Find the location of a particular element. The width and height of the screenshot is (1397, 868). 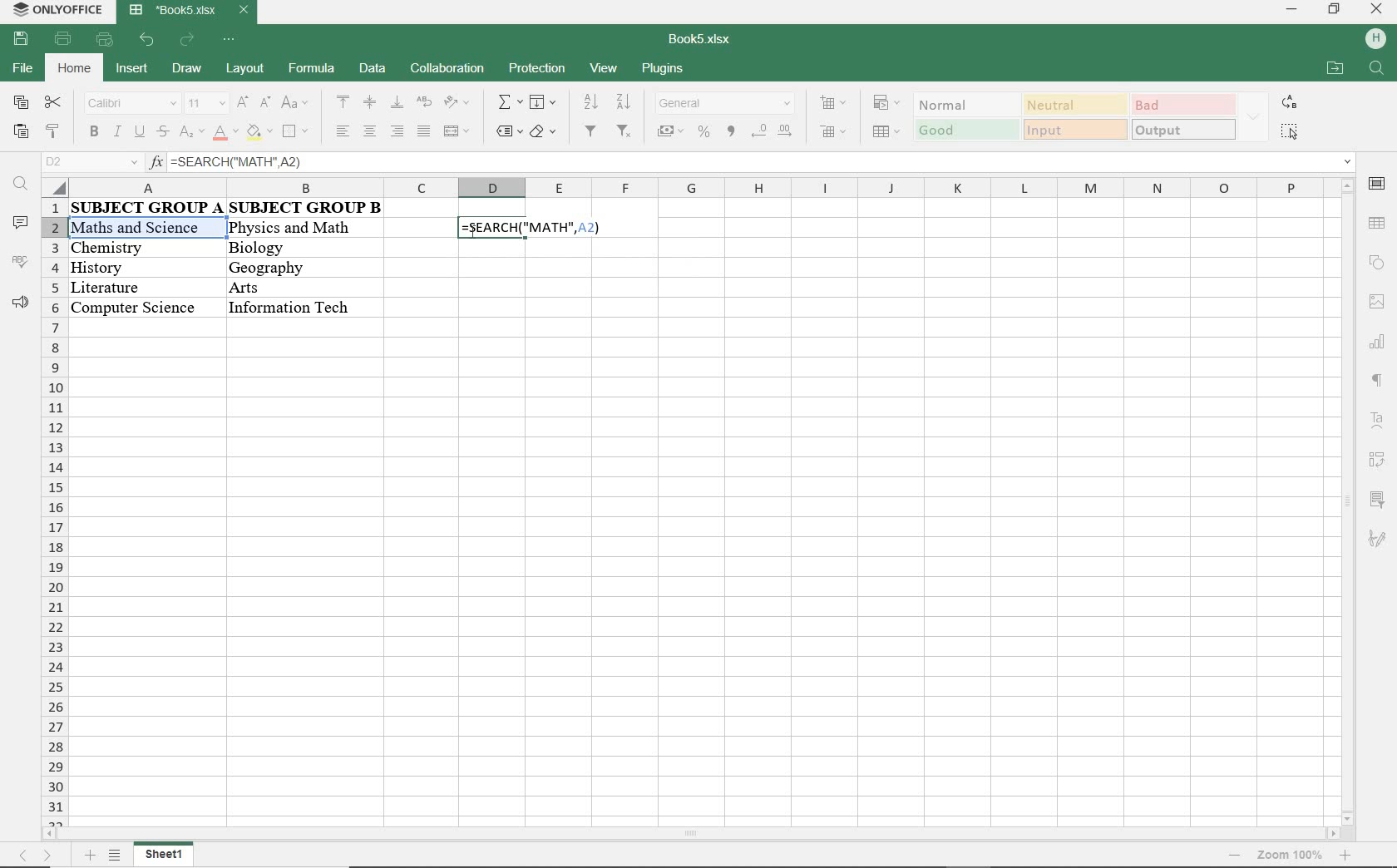

customize quick access toolbar is located at coordinates (230, 40).